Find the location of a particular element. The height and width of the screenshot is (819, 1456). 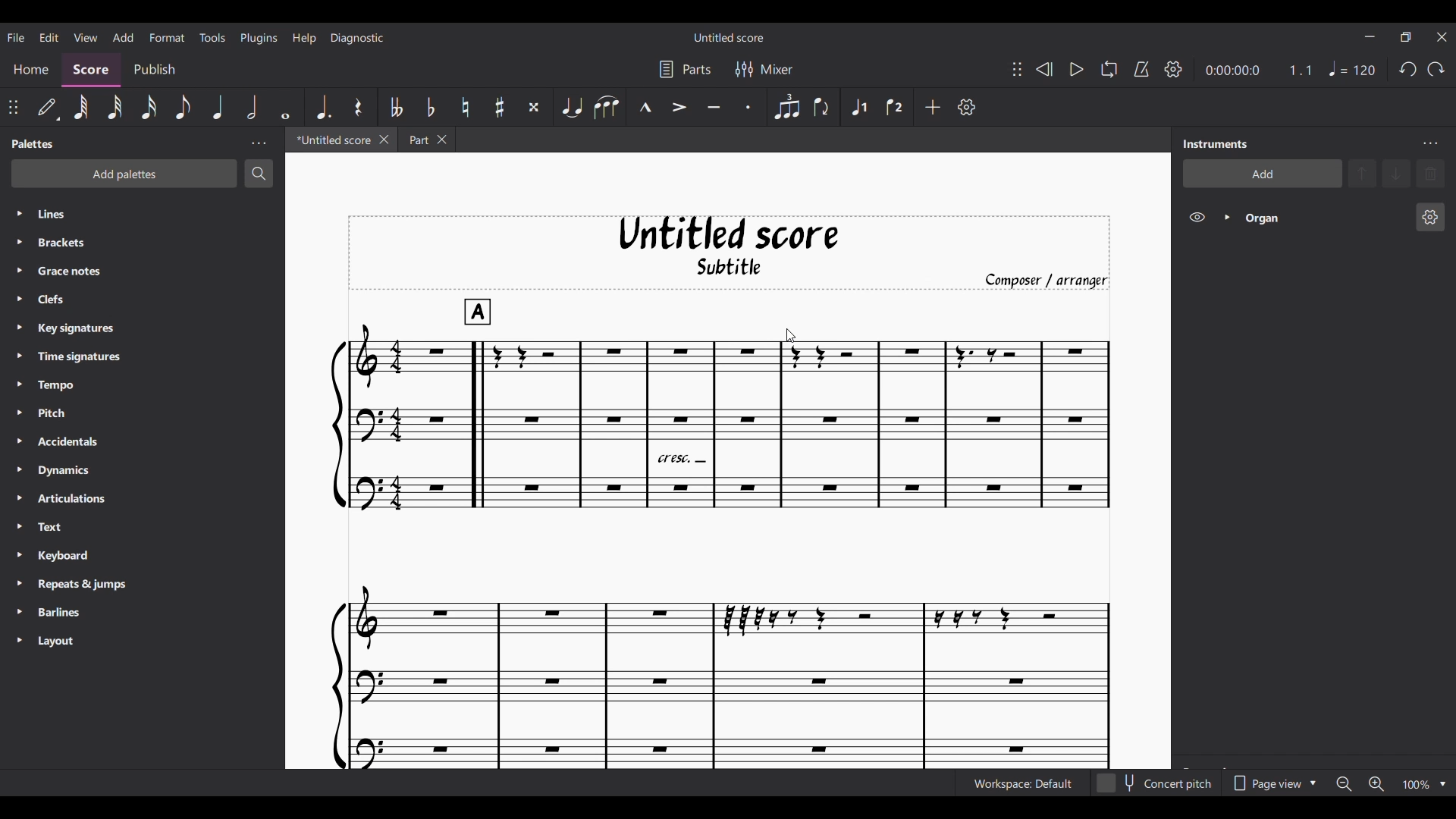

Delete selection is located at coordinates (1431, 174).